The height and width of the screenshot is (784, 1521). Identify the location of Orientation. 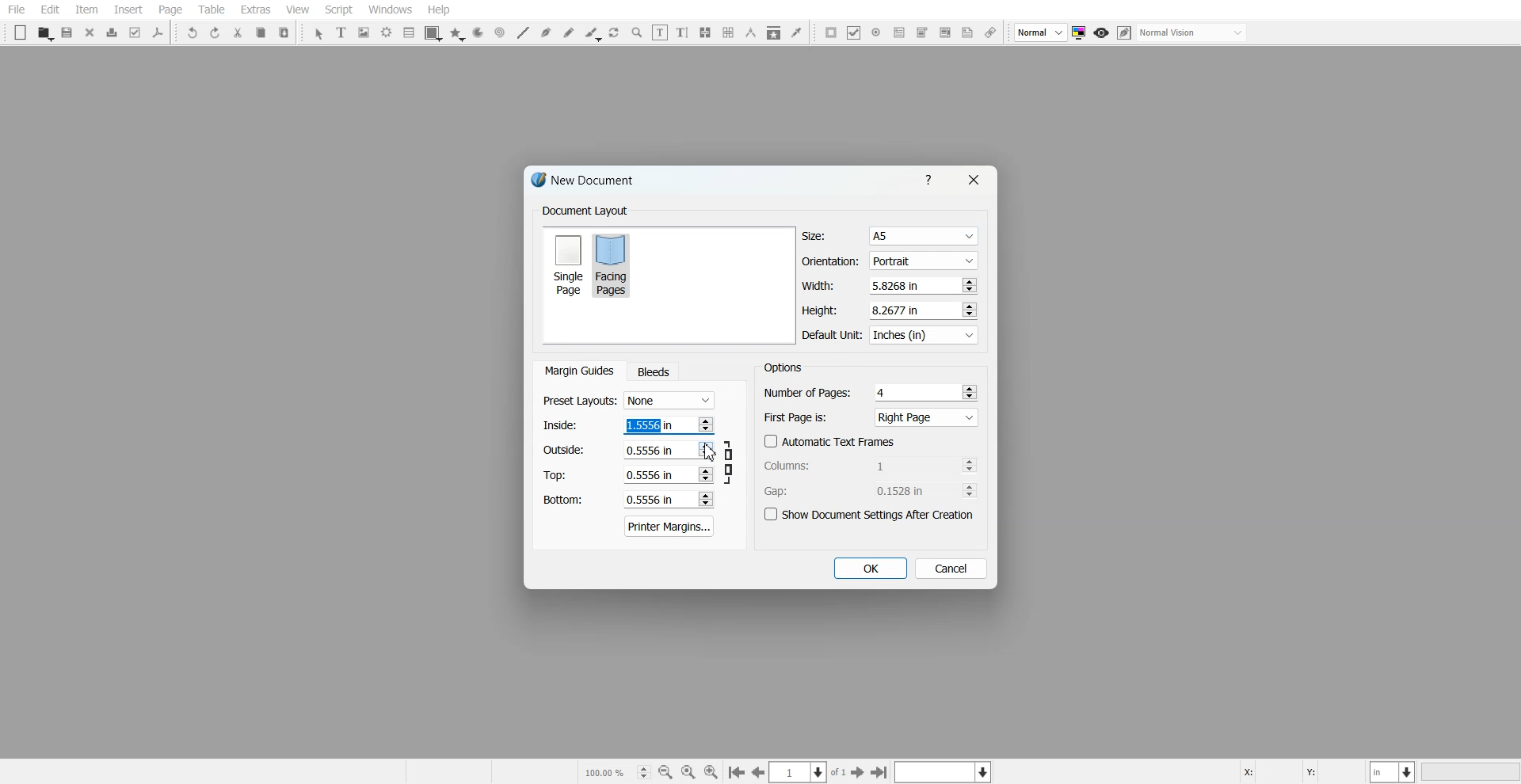
(890, 261).